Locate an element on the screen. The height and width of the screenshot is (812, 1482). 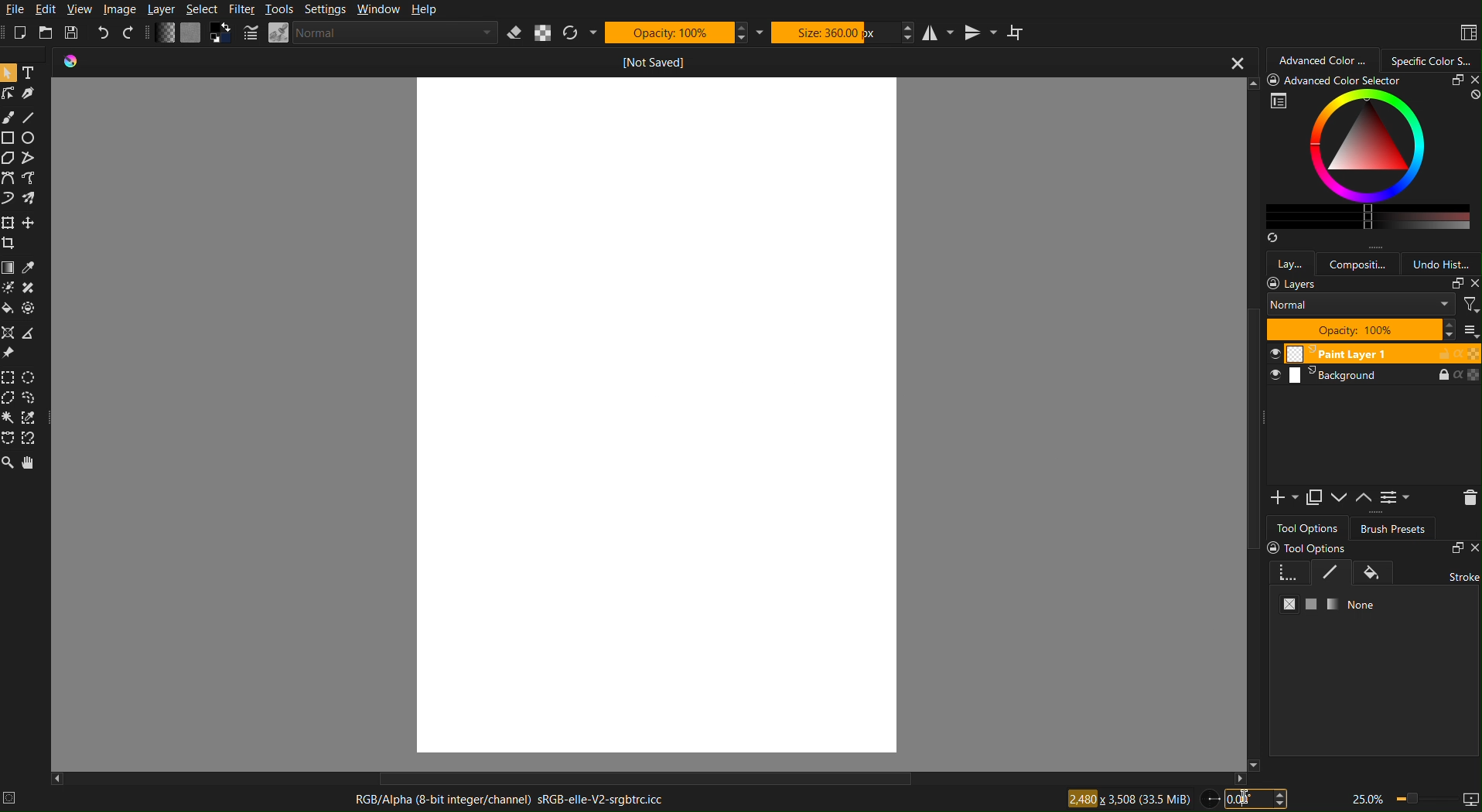
Circle is located at coordinates (29, 136).